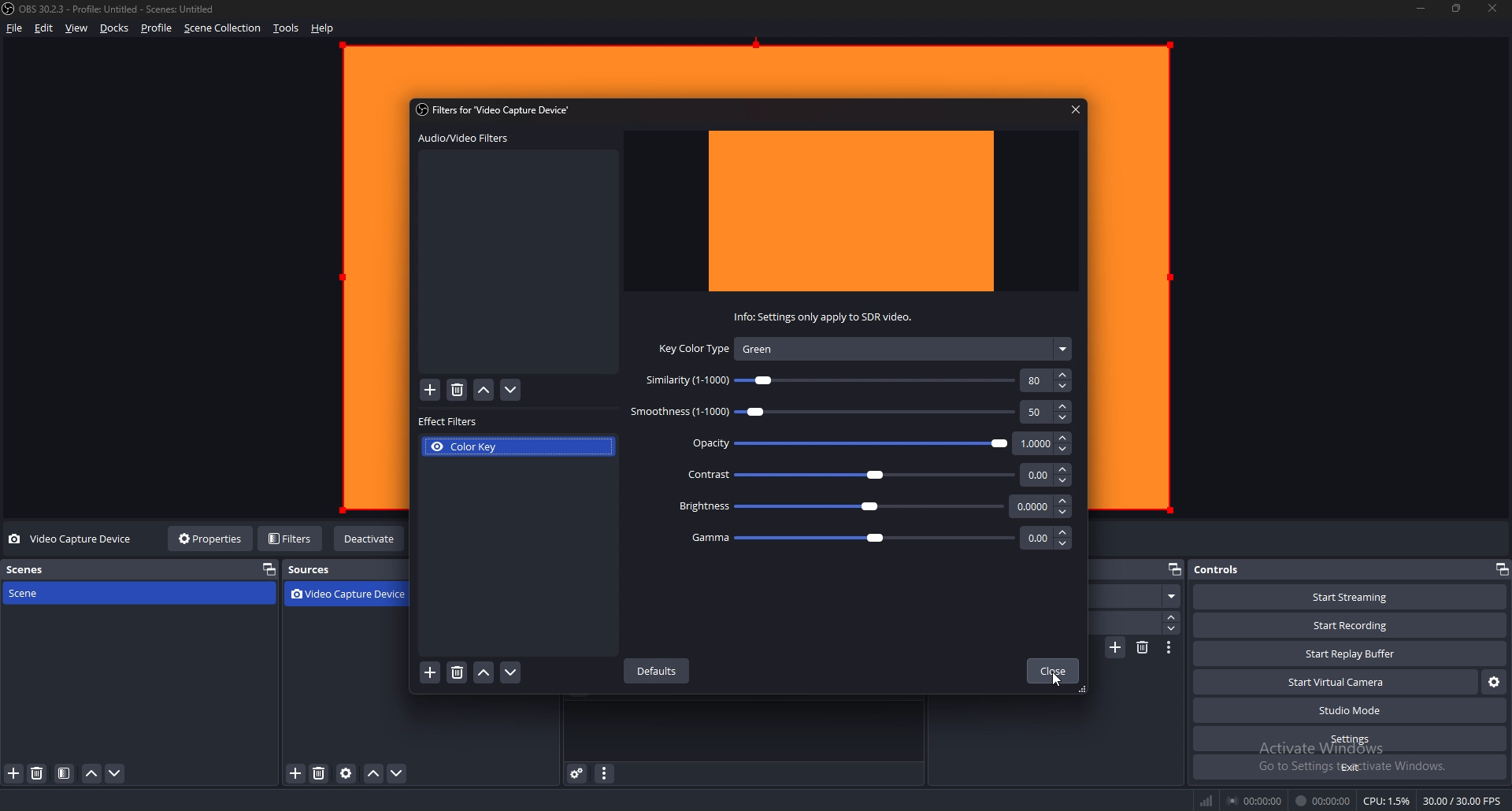 The height and width of the screenshot is (811, 1512). Describe the element at coordinates (1117, 647) in the screenshot. I see `add transition` at that location.